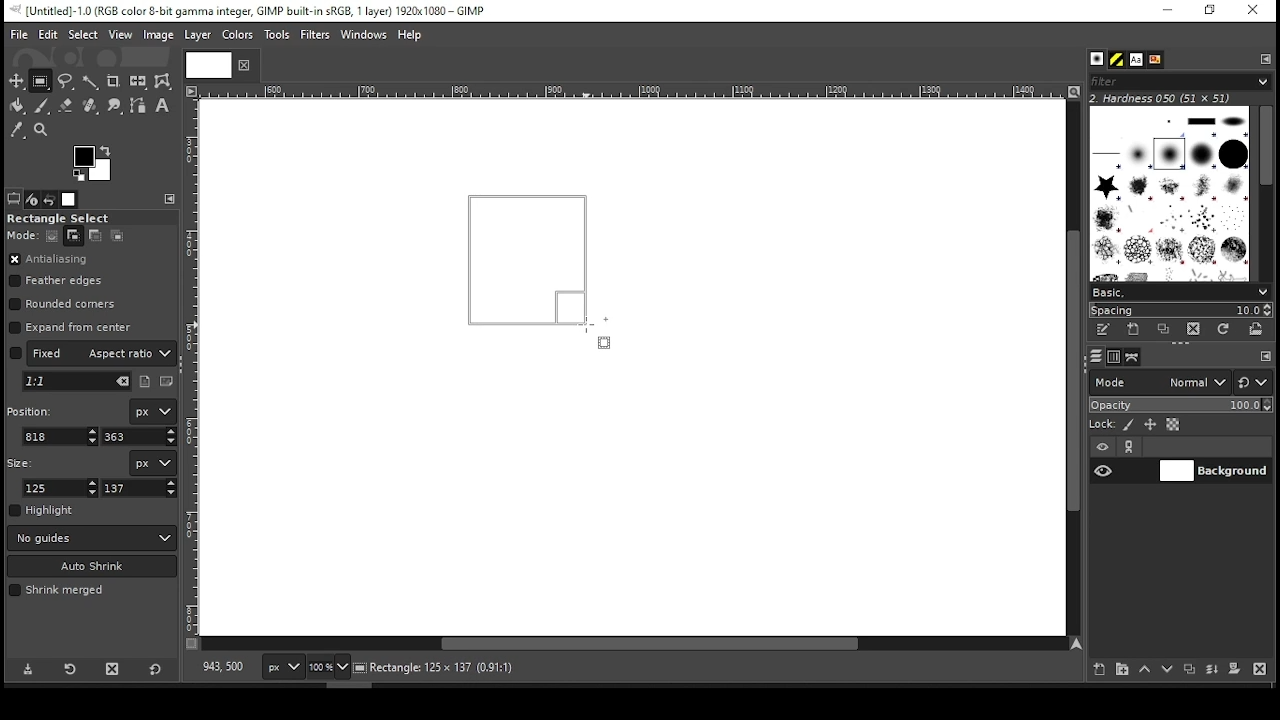 This screenshot has height=720, width=1280. What do you see at coordinates (1095, 667) in the screenshot?
I see `new layer` at bounding box center [1095, 667].